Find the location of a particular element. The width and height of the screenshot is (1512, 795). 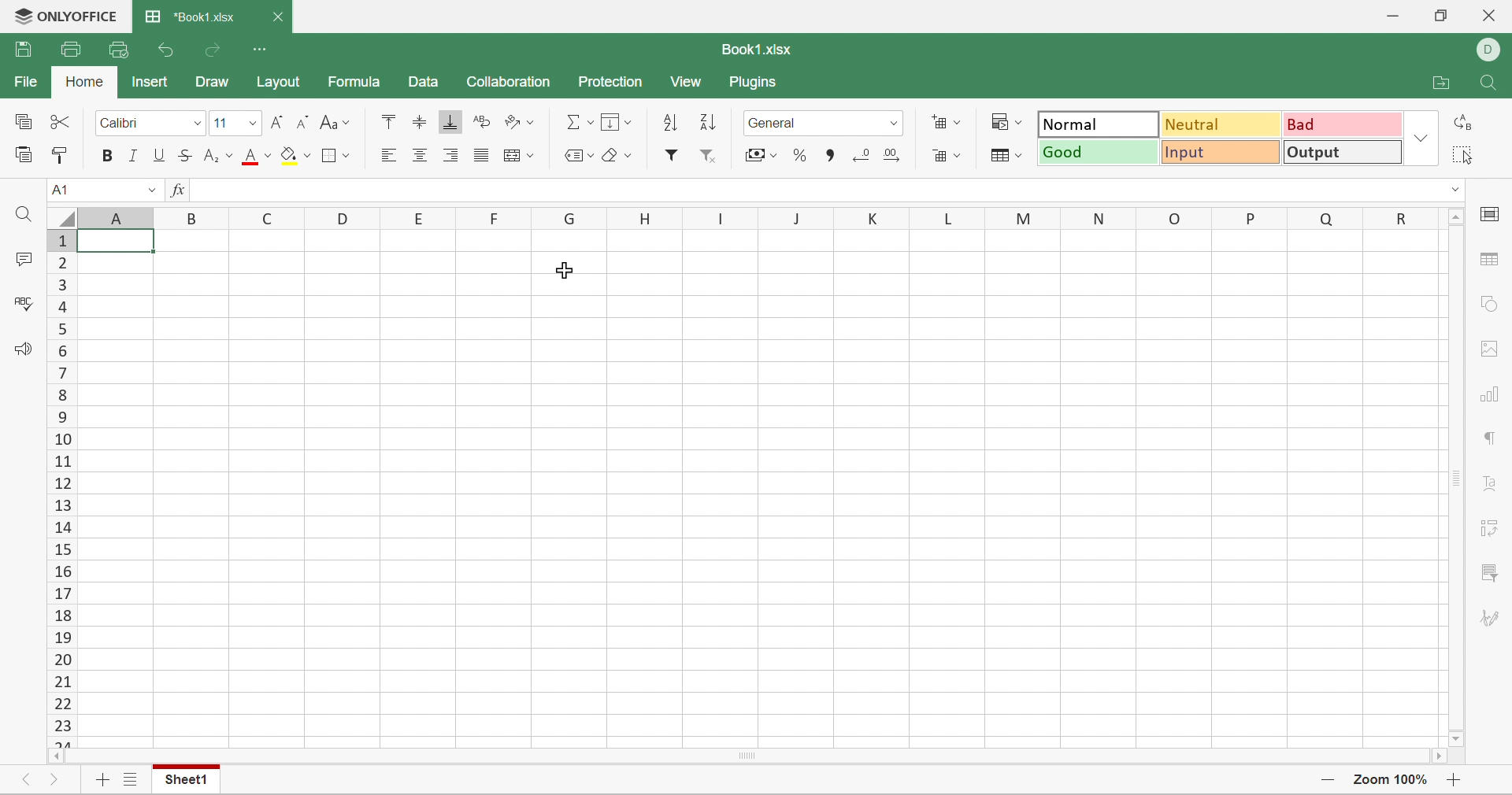

Conditional formatting is located at coordinates (1006, 122).